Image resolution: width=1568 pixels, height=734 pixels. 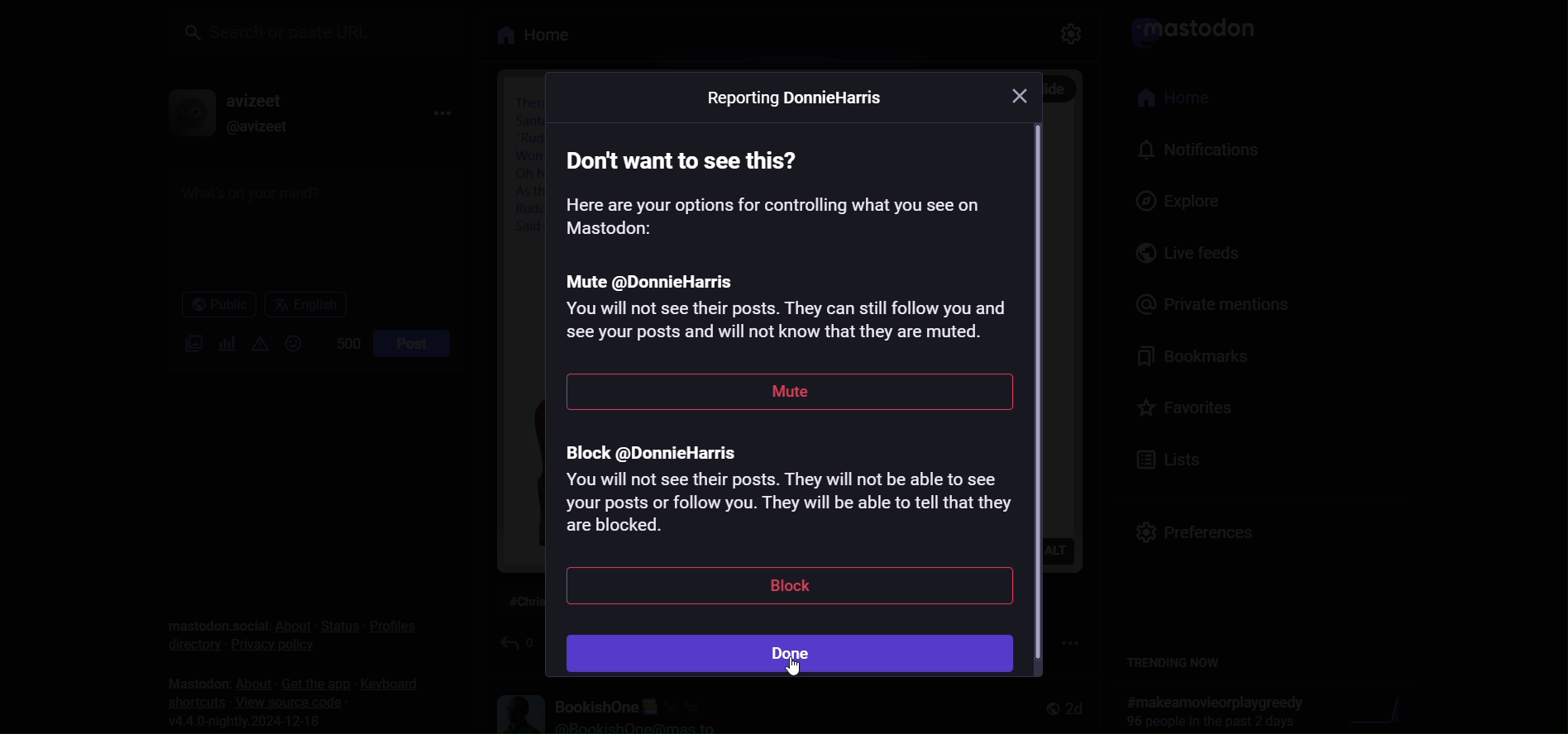 What do you see at coordinates (1044, 395) in the screenshot?
I see `scroll bar` at bounding box center [1044, 395].